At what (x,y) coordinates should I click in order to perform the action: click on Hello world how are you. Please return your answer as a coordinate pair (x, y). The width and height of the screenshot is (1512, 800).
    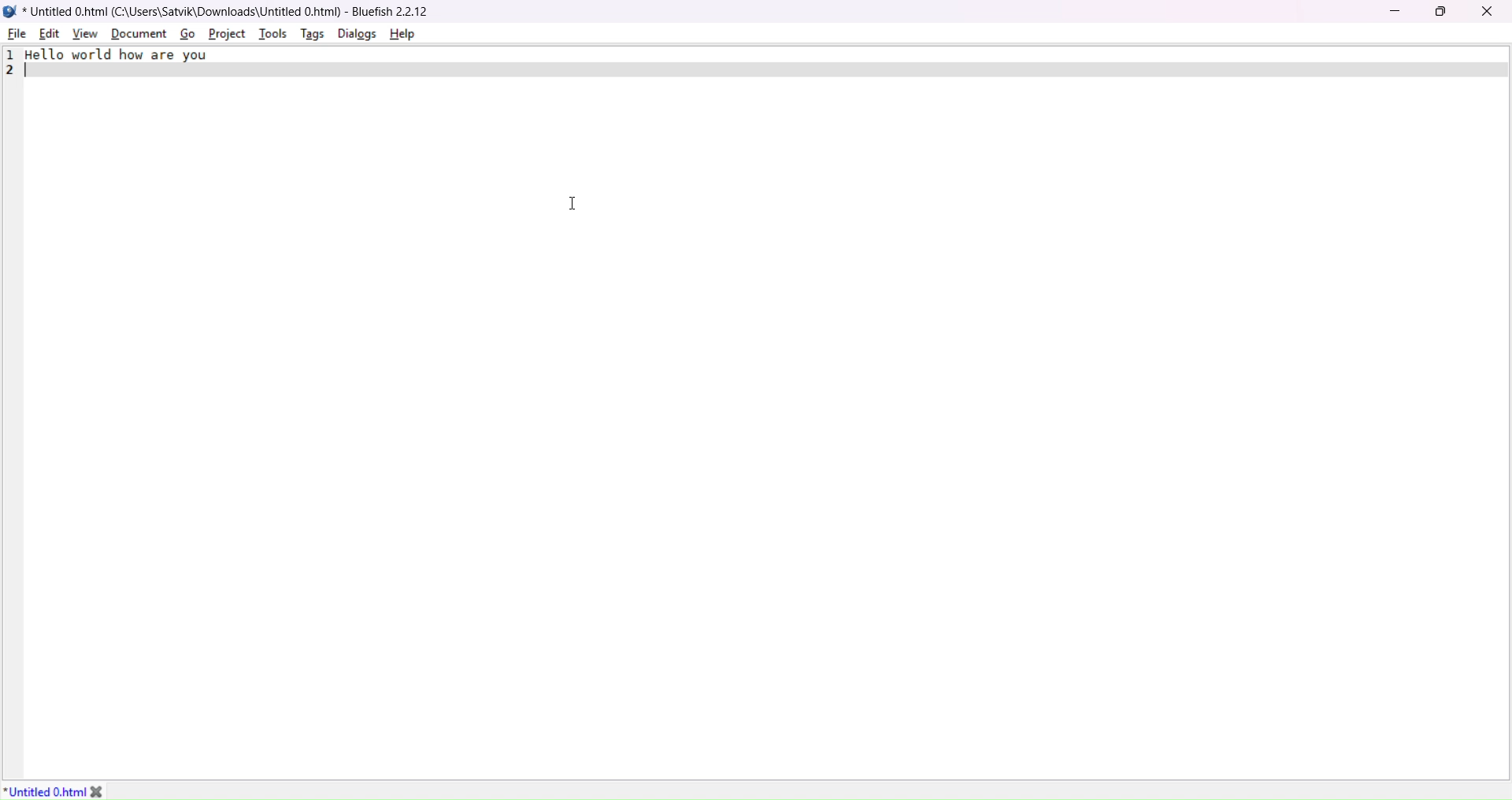
    Looking at the image, I should click on (130, 57).